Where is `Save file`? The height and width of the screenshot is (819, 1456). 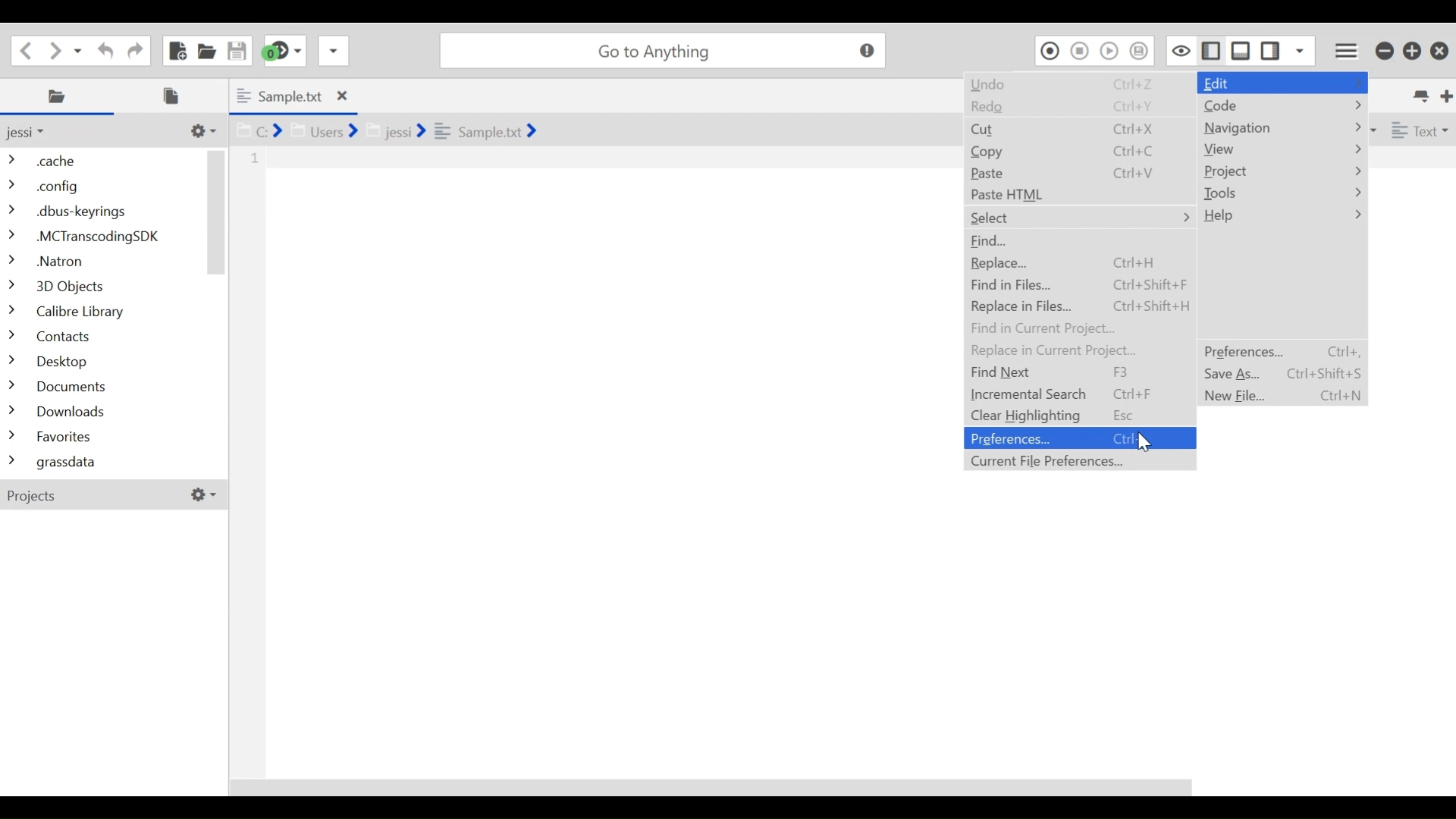 Save file is located at coordinates (235, 49).